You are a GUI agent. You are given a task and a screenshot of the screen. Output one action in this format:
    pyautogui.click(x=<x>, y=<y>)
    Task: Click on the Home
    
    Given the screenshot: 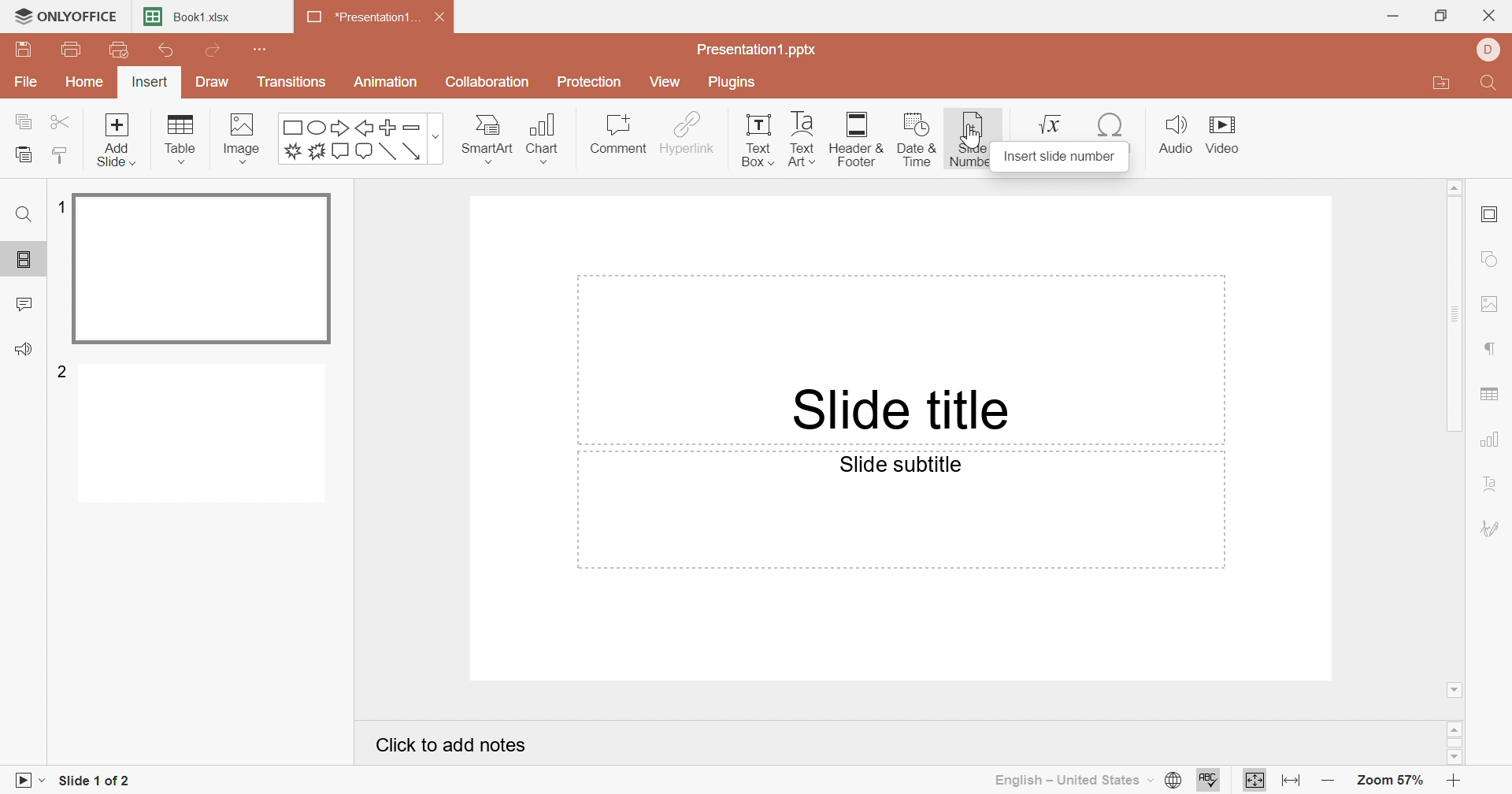 What is the action you would take?
    pyautogui.click(x=87, y=81)
    